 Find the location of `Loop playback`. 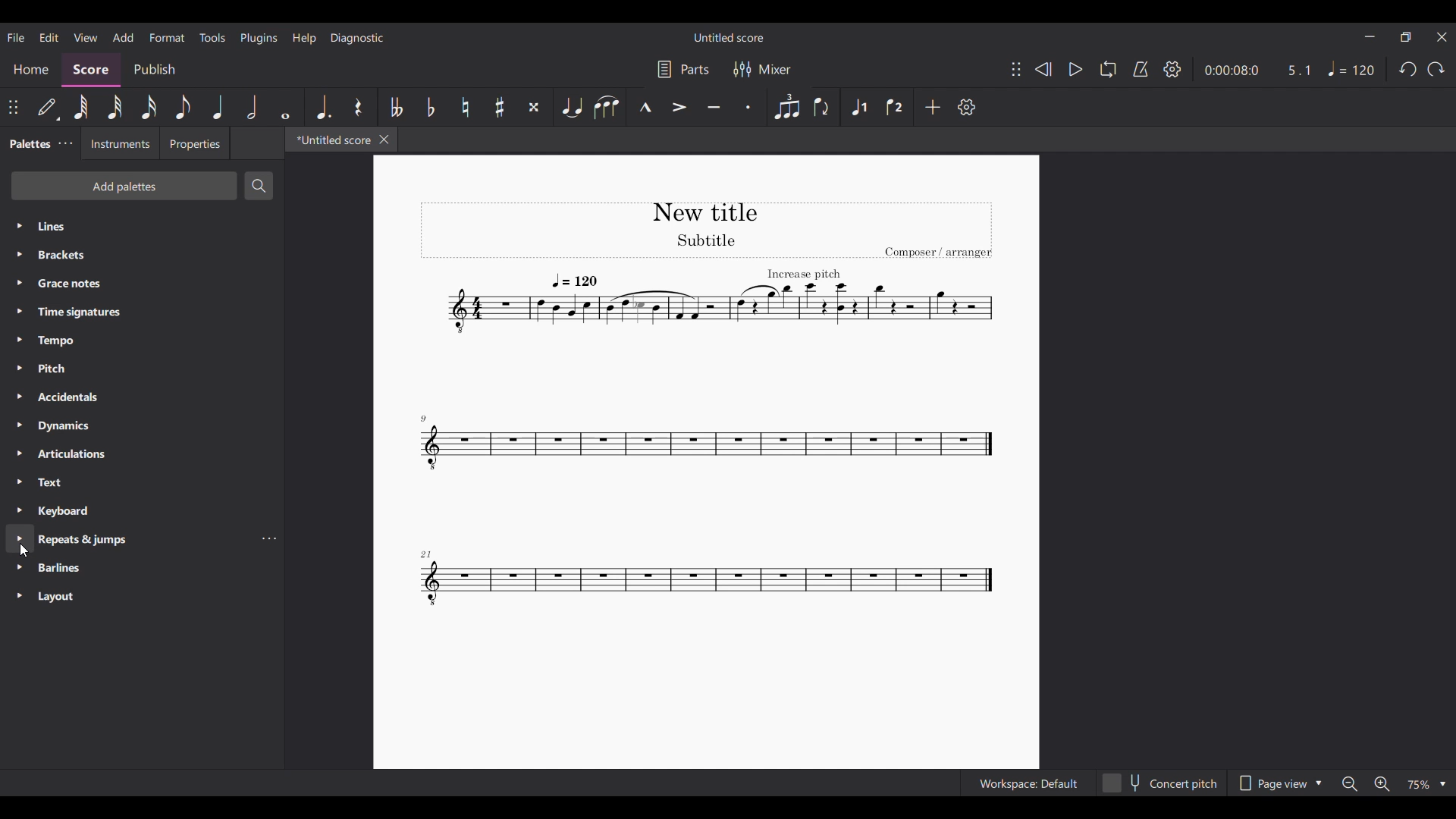

Loop playback is located at coordinates (1109, 69).